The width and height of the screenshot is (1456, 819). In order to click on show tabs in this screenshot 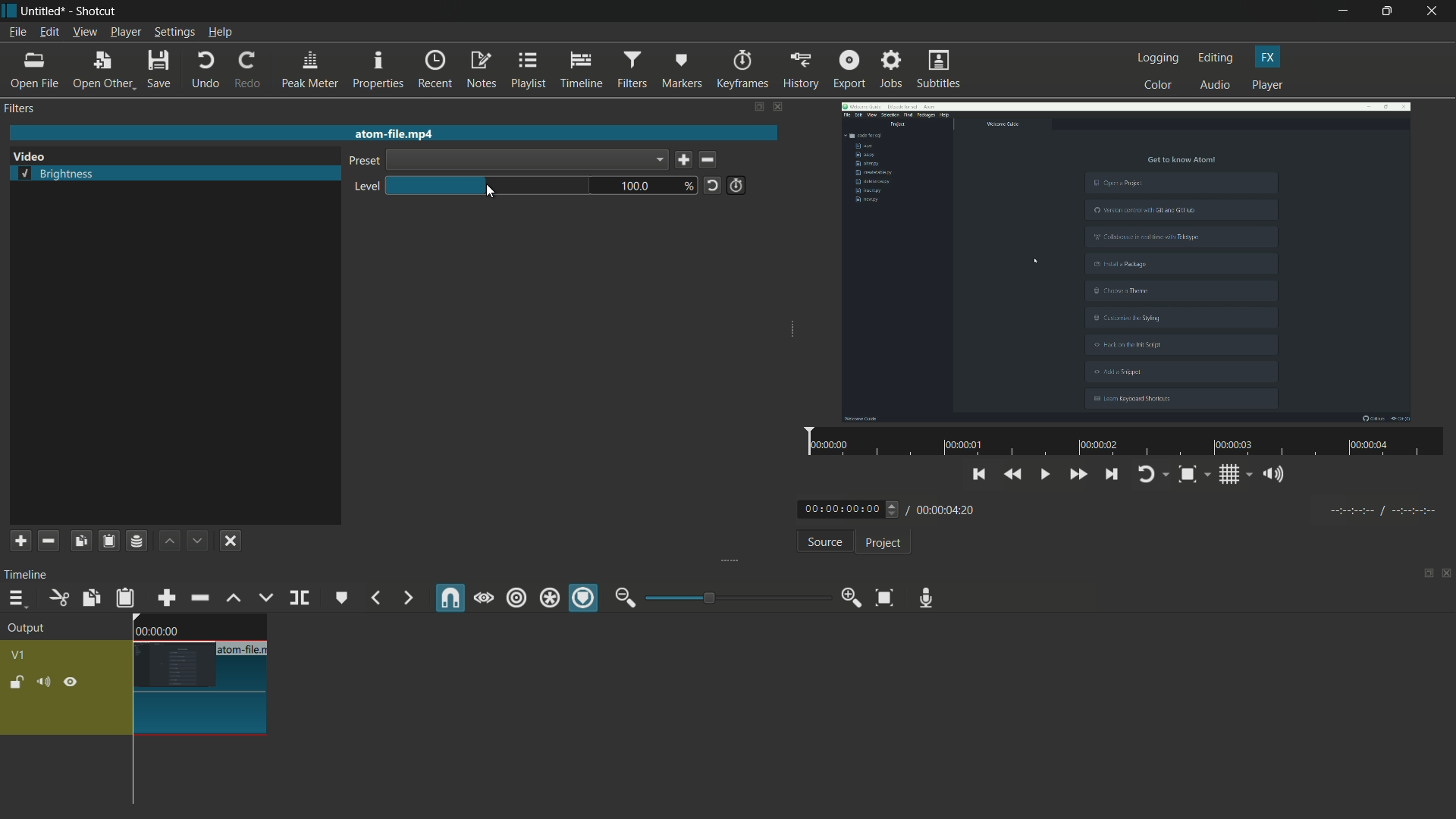, I will do `click(758, 108)`.